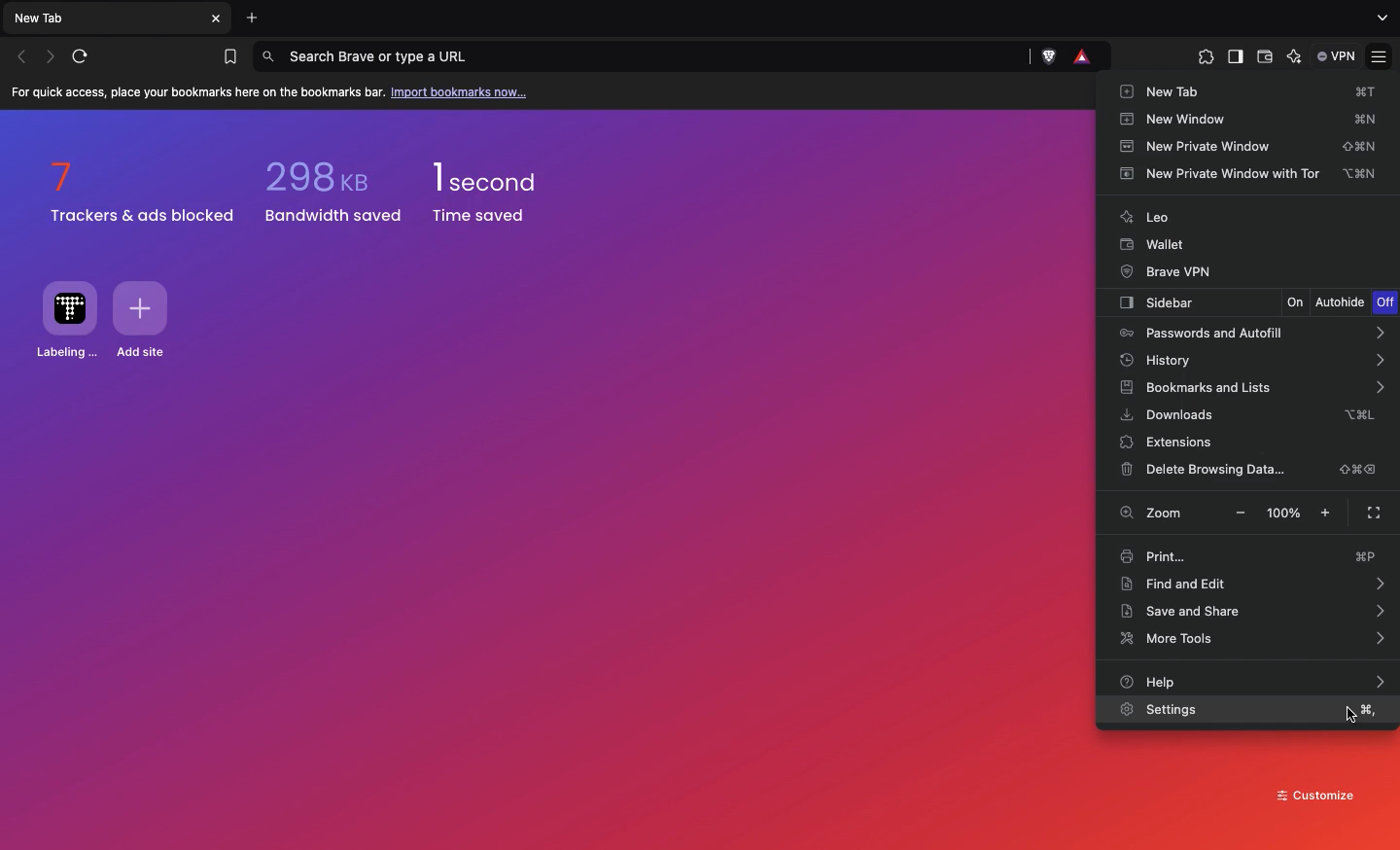 This screenshot has height=850, width=1400. Describe the element at coordinates (1320, 795) in the screenshot. I see `Customize` at that location.